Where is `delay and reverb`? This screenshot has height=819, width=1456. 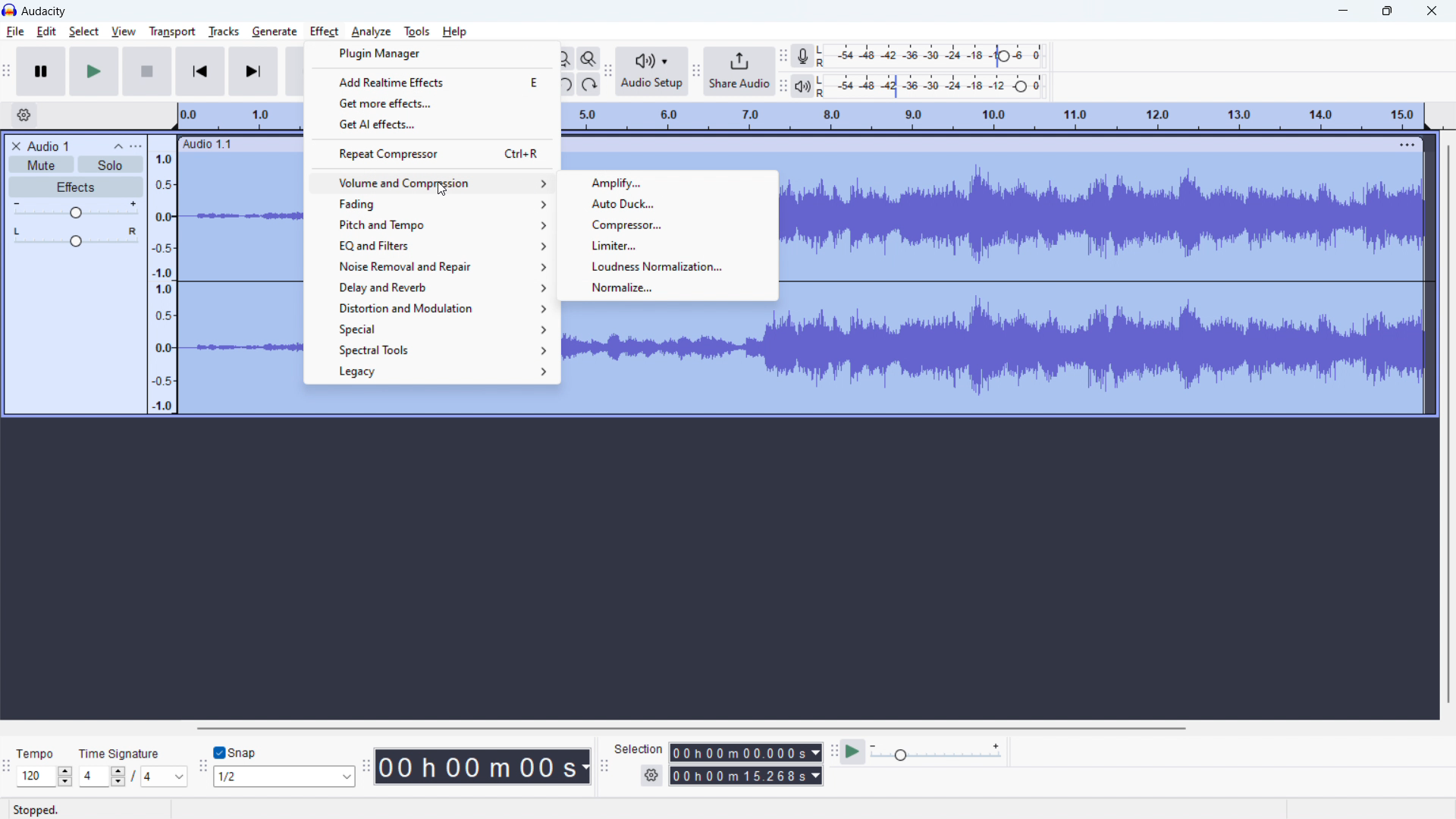
delay and reverb is located at coordinates (429, 287).